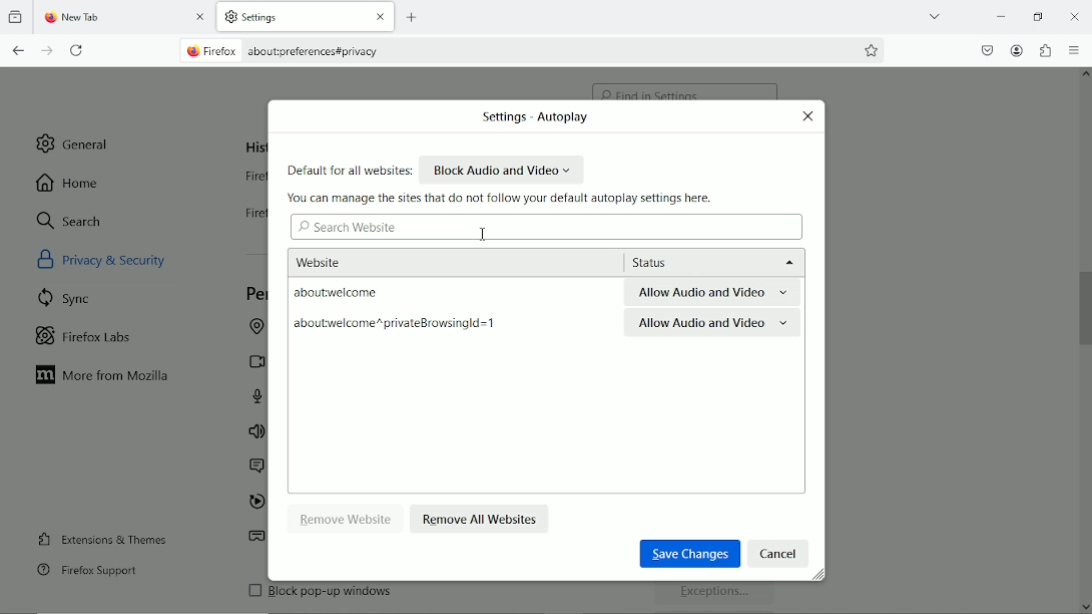  What do you see at coordinates (253, 361) in the screenshot?
I see `camera` at bounding box center [253, 361].